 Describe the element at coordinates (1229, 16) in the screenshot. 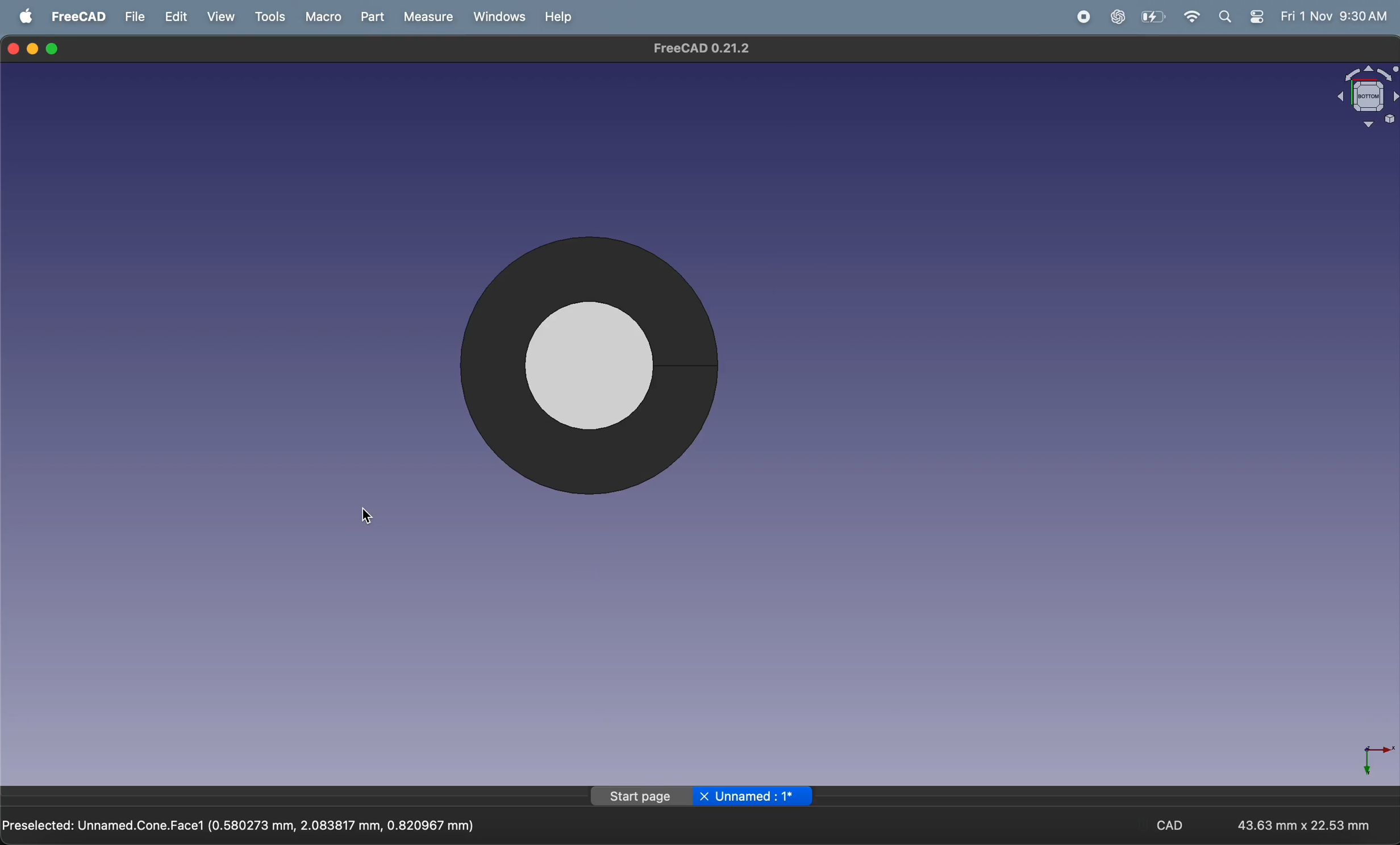

I see `search` at that location.